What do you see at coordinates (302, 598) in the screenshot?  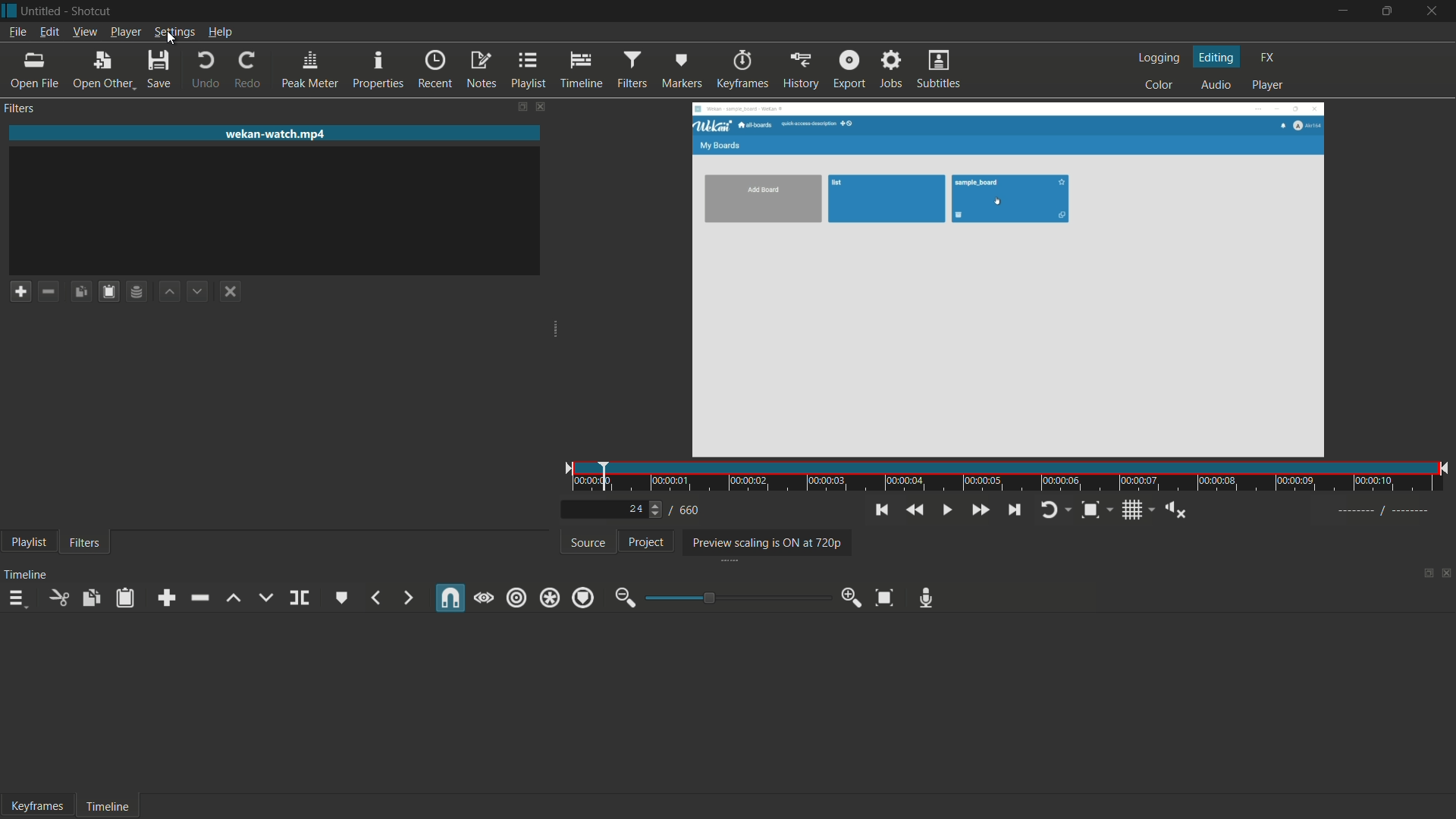 I see `split at playhead` at bounding box center [302, 598].